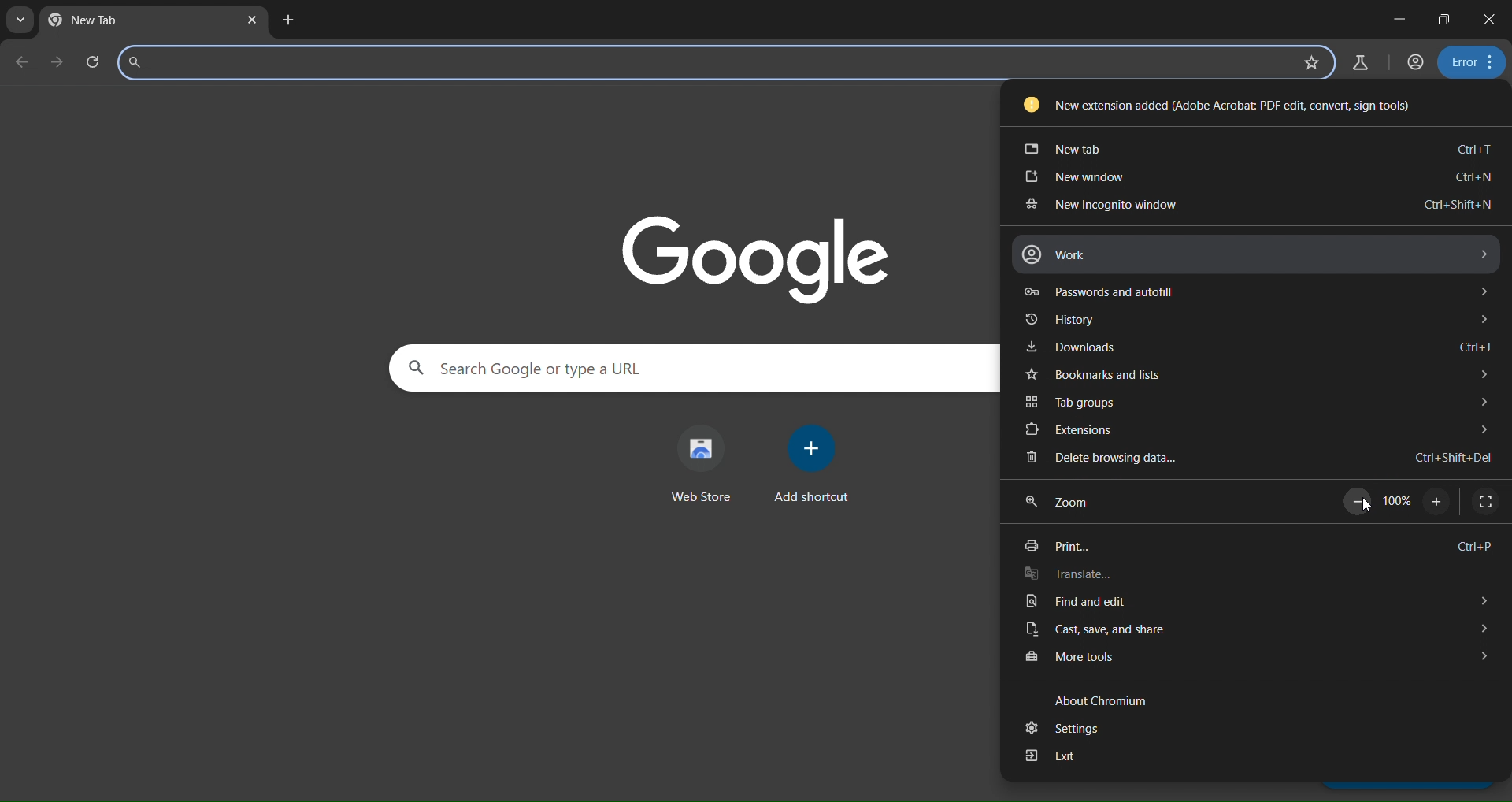 This screenshot has height=802, width=1512. Describe the element at coordinates (1438, 499) in the screenshot. I see `zoom in` at that location.